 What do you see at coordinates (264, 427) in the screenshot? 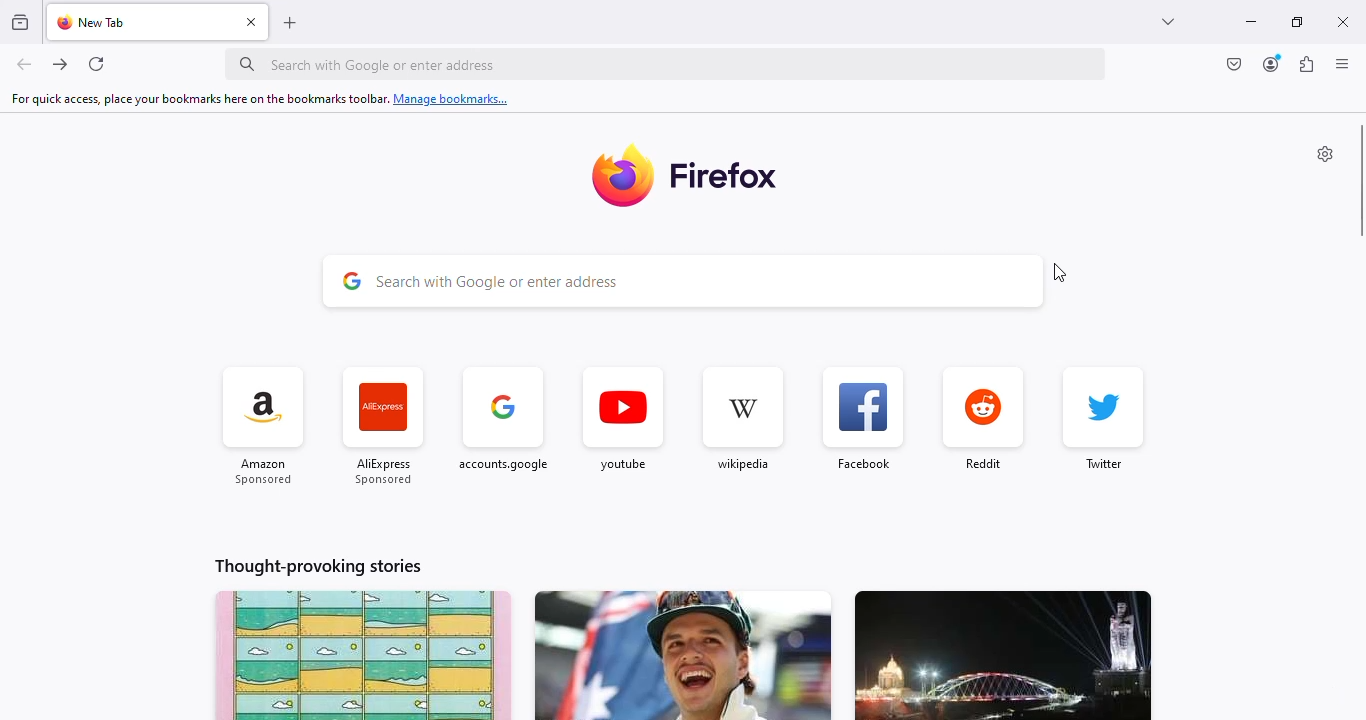
I see `amazon` at bounding box center [264, 427].